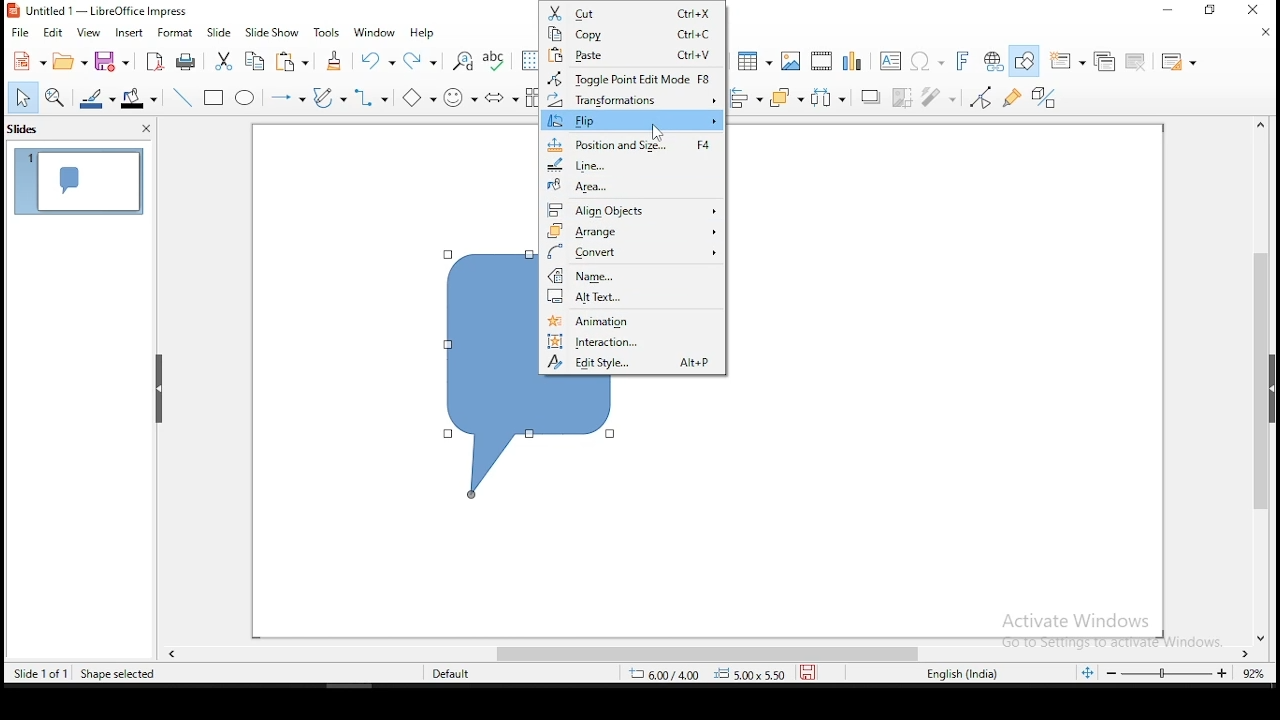 The width and height of the screenshot is (1280, 720). I want to click on line, so click(632, 165).